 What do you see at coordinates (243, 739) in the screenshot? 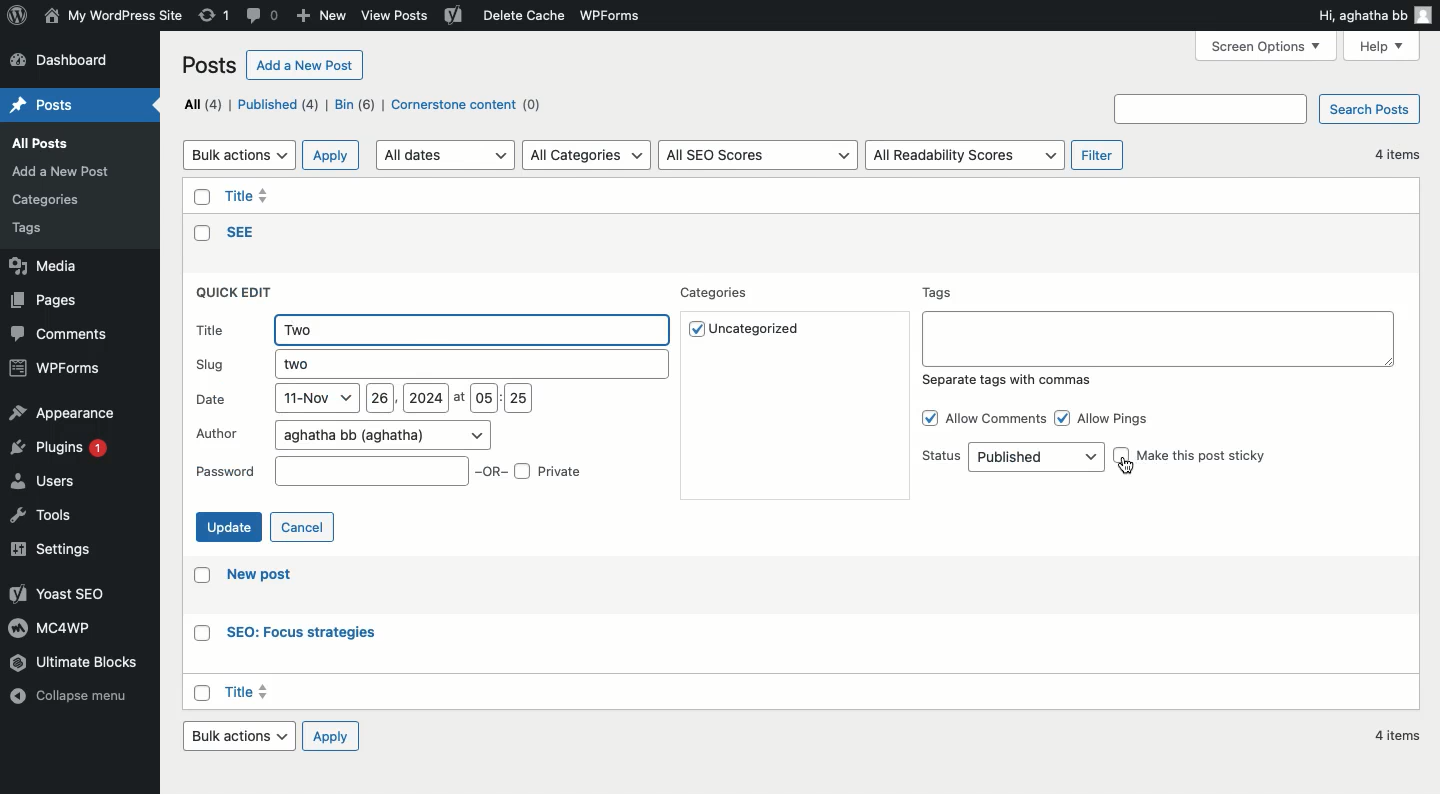
I see `Bulk actions` at bounding box center [243, 739].